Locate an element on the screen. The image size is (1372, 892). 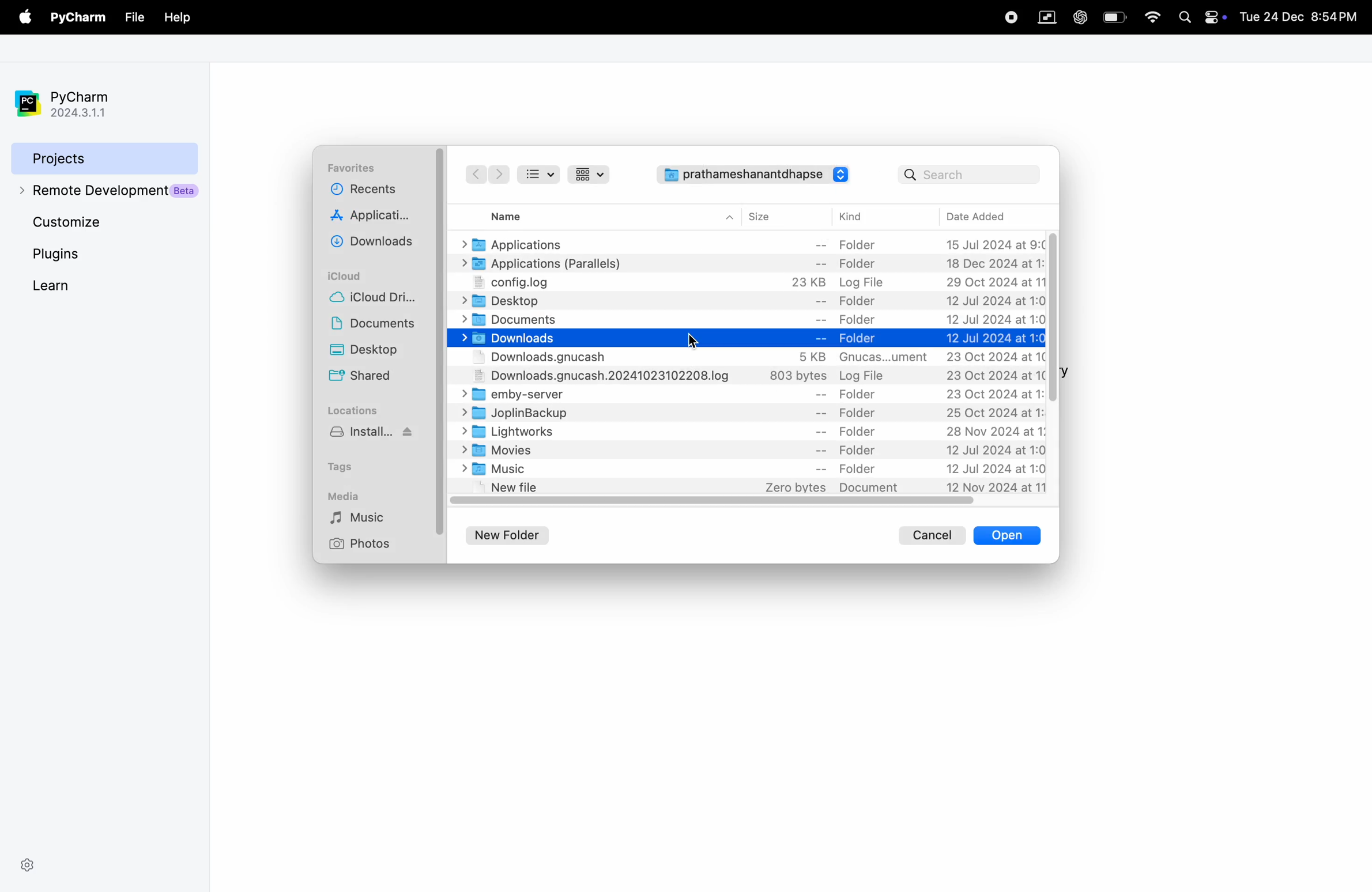
customize is located at coordinates (105, 224).